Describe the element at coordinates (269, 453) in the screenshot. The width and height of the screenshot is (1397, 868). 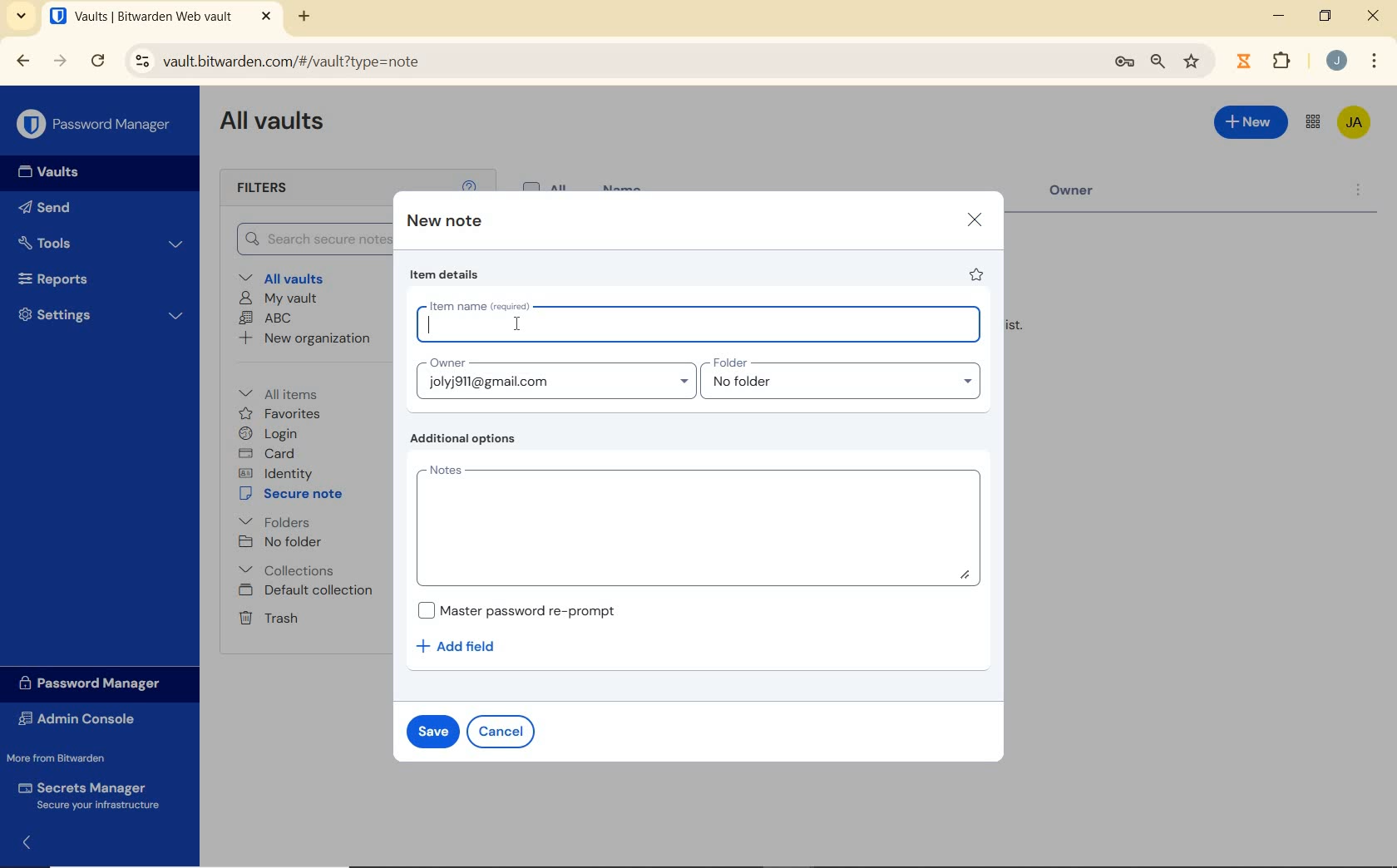
I see `card` at that location.